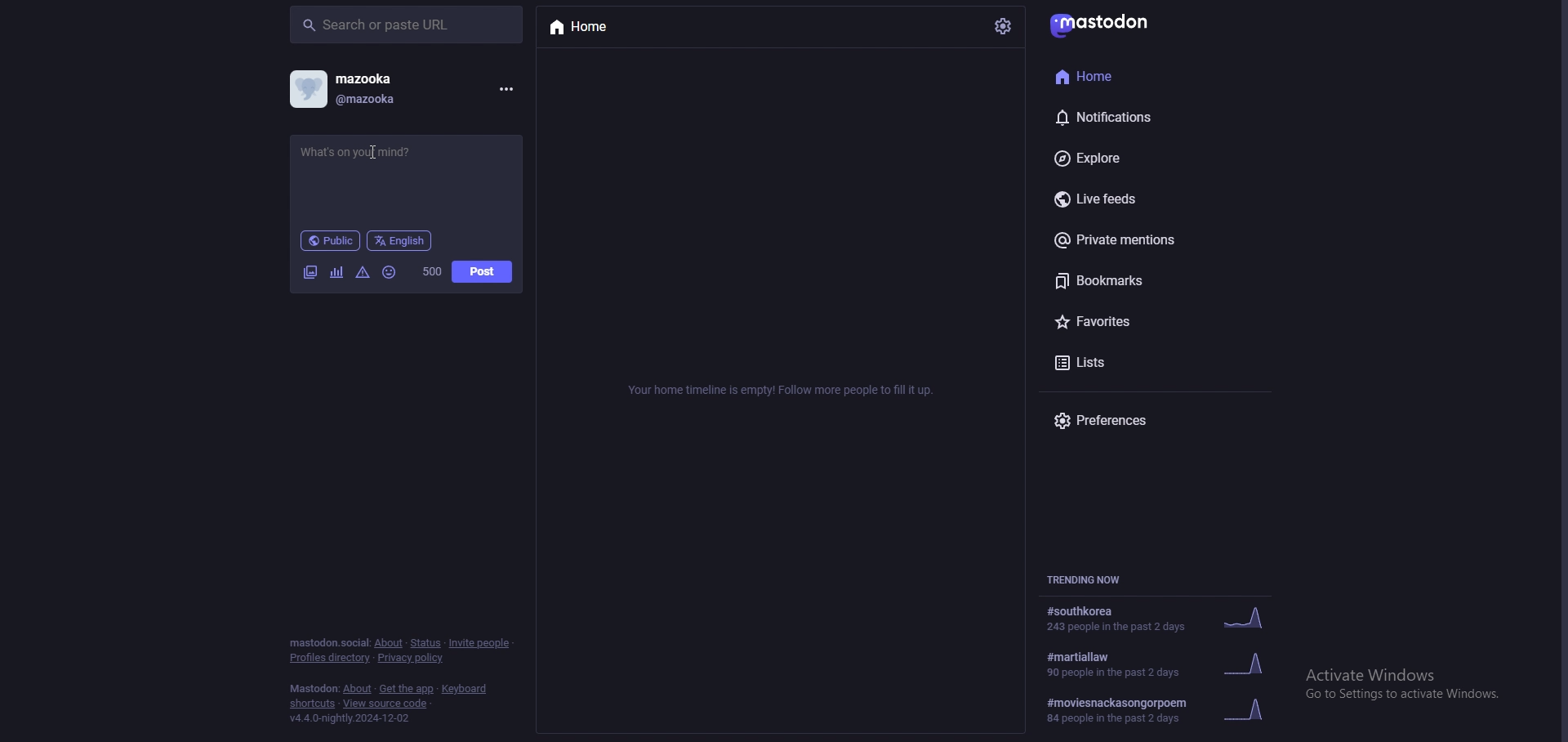 The height and width of the screenshot is (742, 1568). I want to click on private mentions, so click(1138, 240).